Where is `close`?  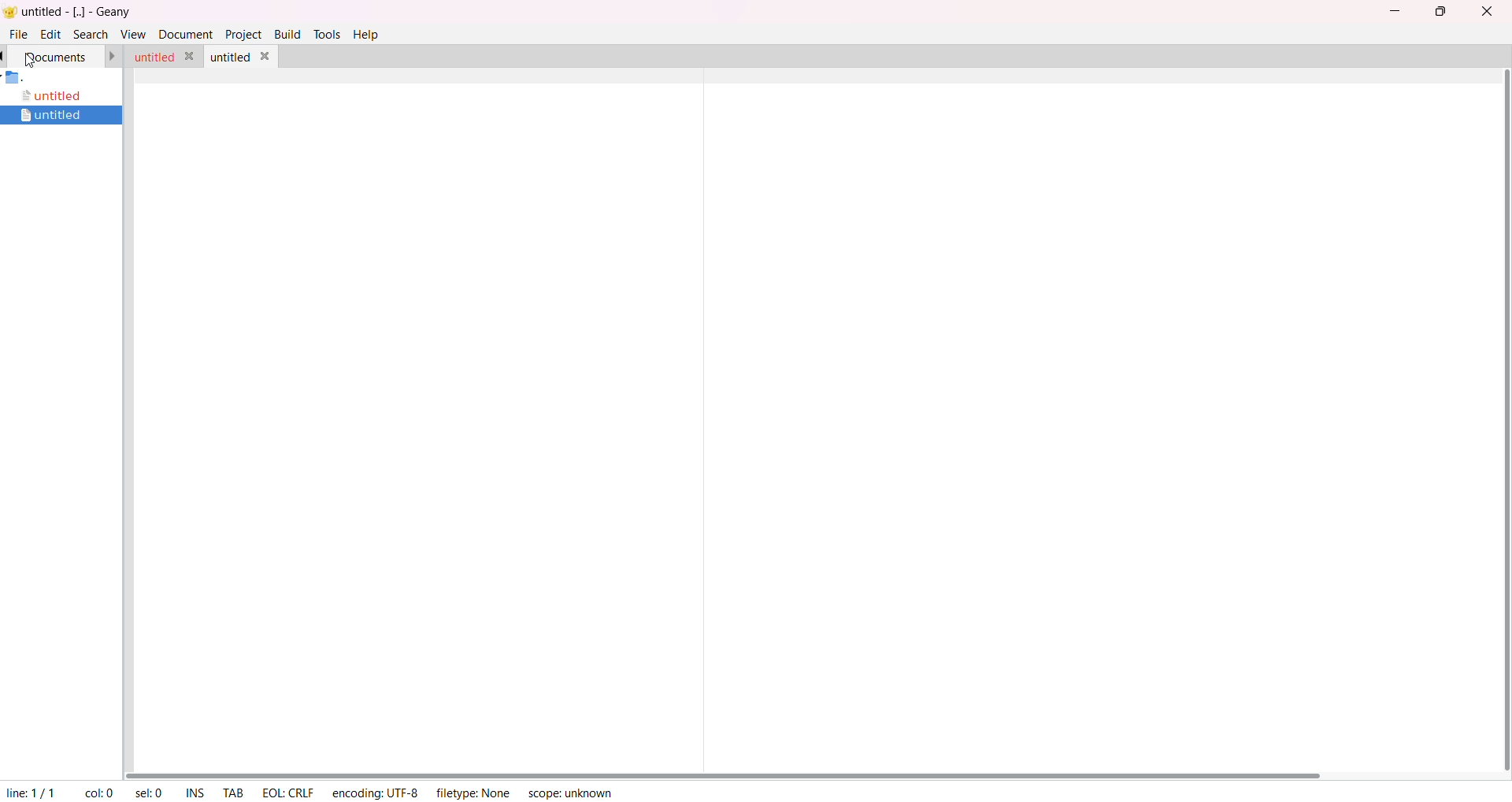
close is located at coordinates (267, 58).